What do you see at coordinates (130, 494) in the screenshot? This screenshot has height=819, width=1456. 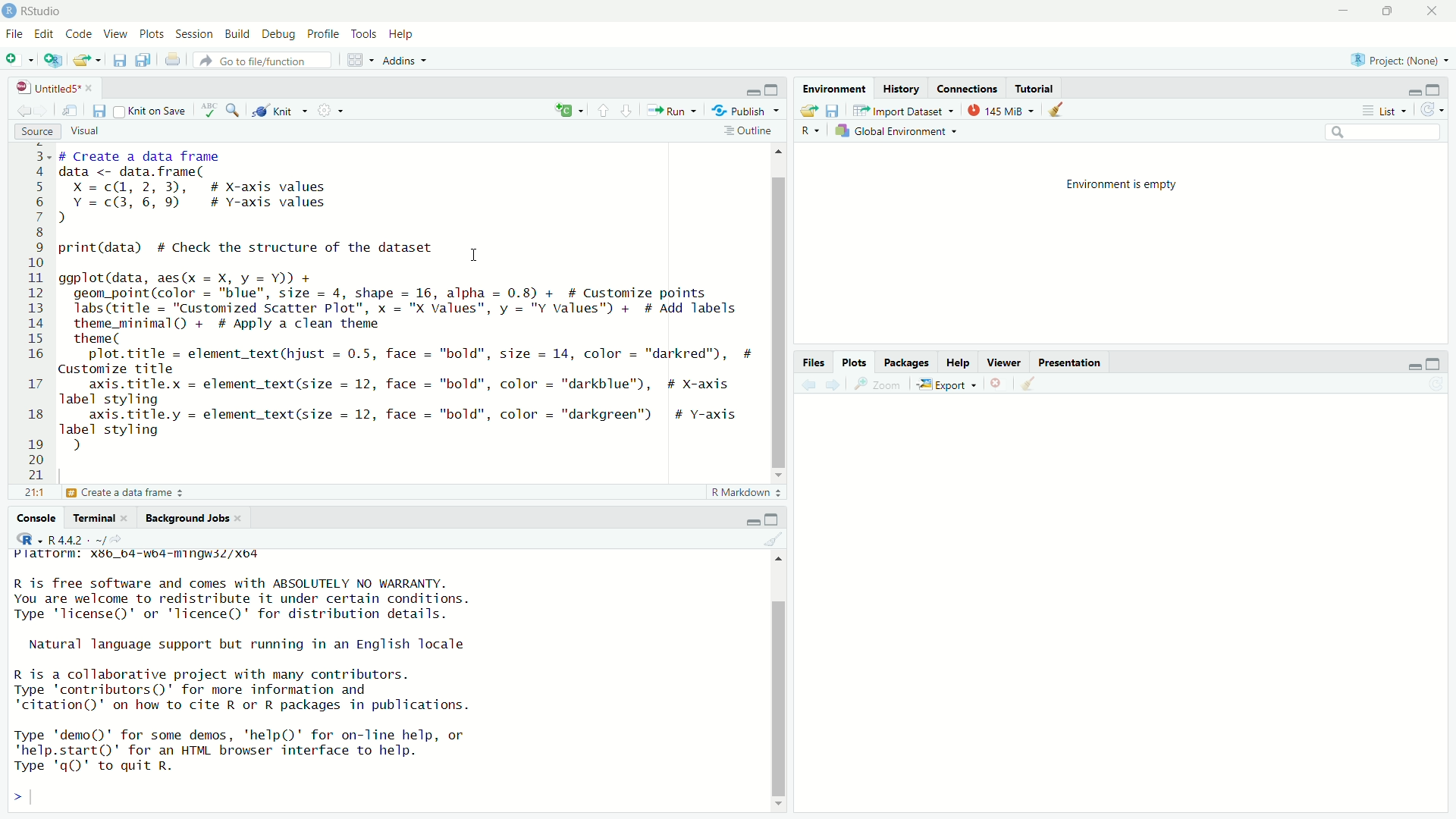 I see `Create a data frame` at bounding box center [130, 494].